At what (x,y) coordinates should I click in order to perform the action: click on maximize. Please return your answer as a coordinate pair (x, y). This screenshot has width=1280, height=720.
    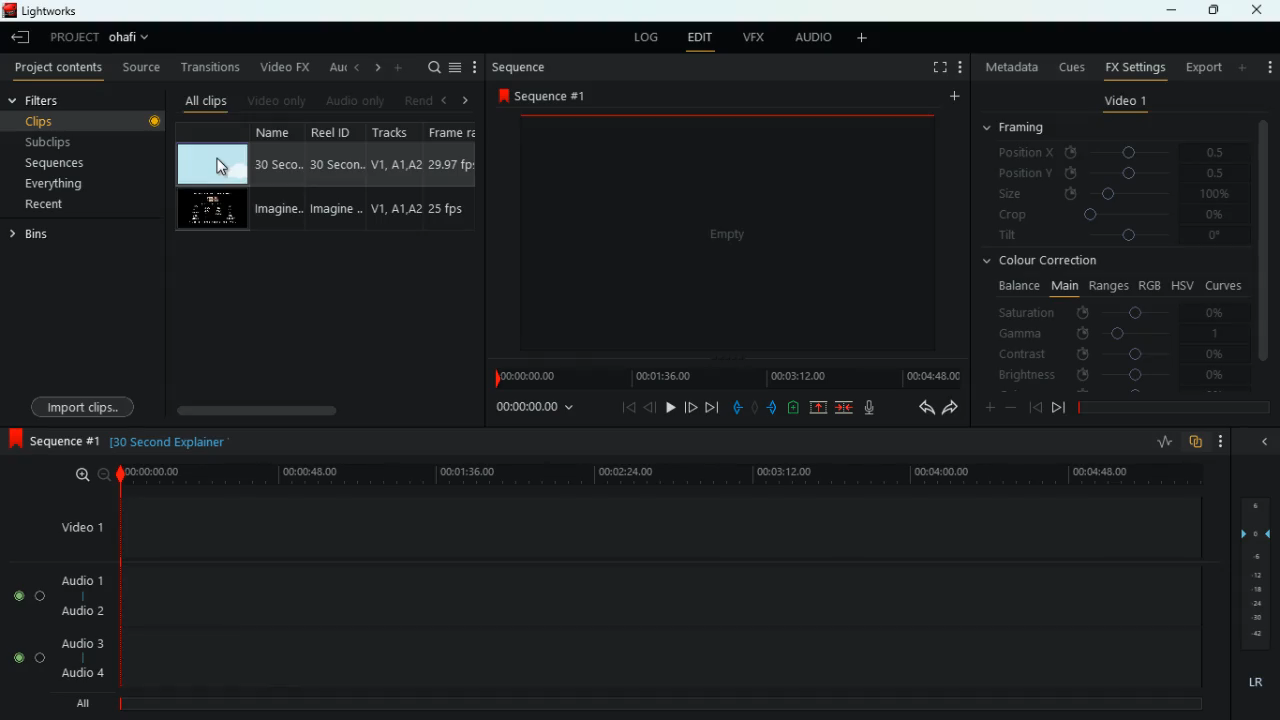
    Looking at the image, I should click on (1212, 10).